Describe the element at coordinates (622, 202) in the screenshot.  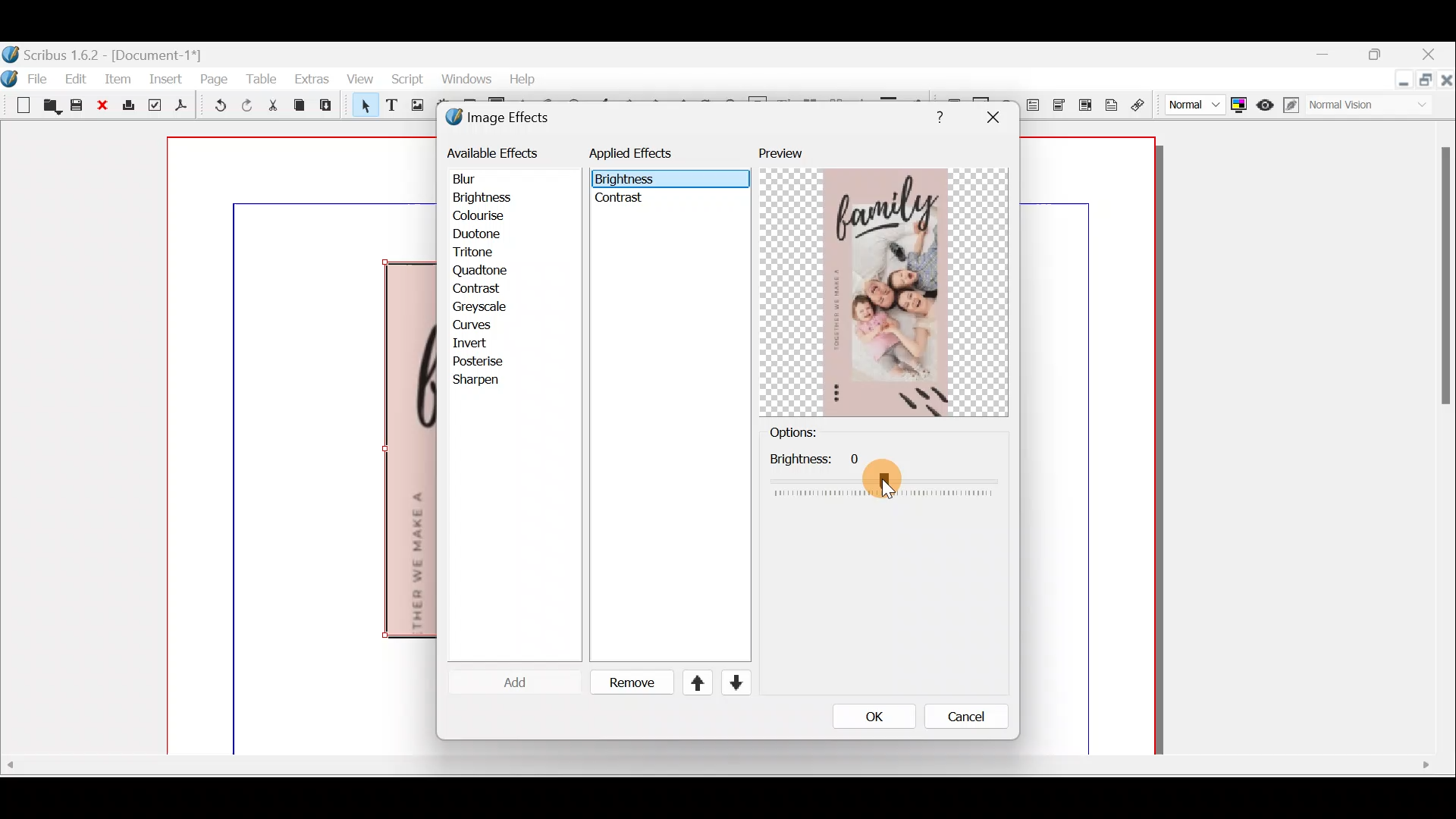
I see `` at that location.